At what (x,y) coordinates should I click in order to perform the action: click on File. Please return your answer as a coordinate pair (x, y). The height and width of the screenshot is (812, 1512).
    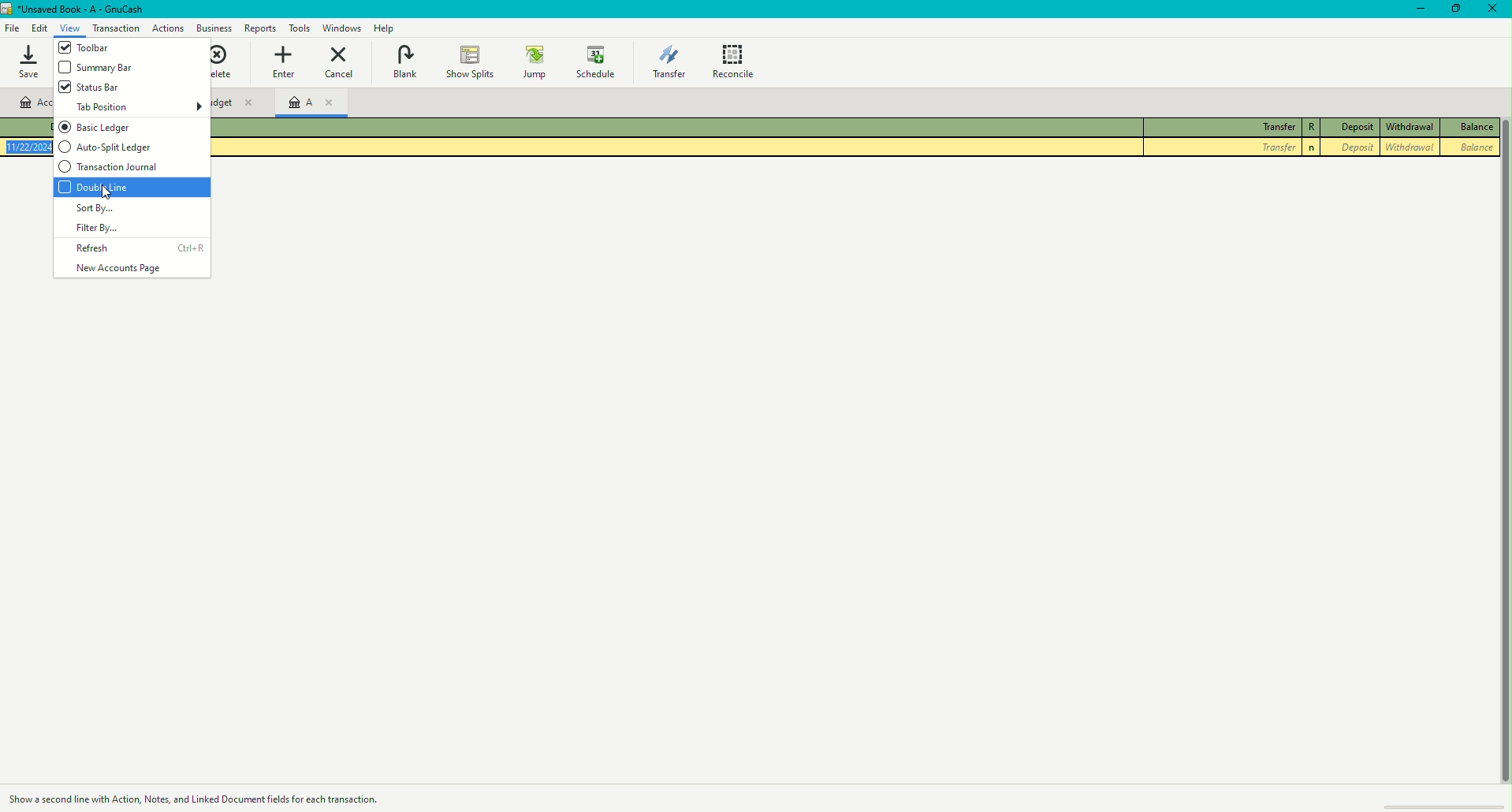
    Looking at the image, I should click on (12, 28).